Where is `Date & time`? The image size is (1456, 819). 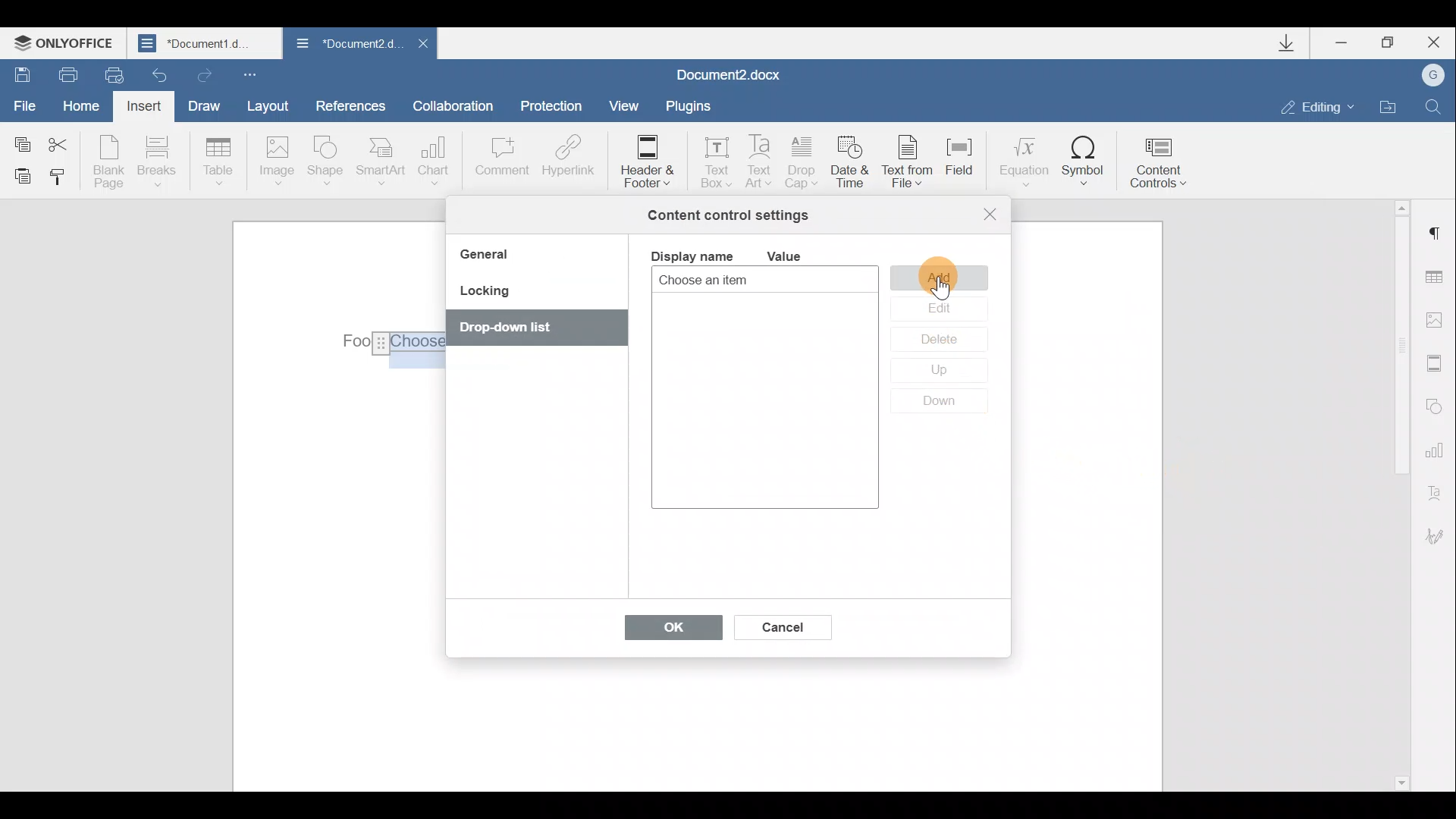
Date & time is located at coordinates (852, 165).